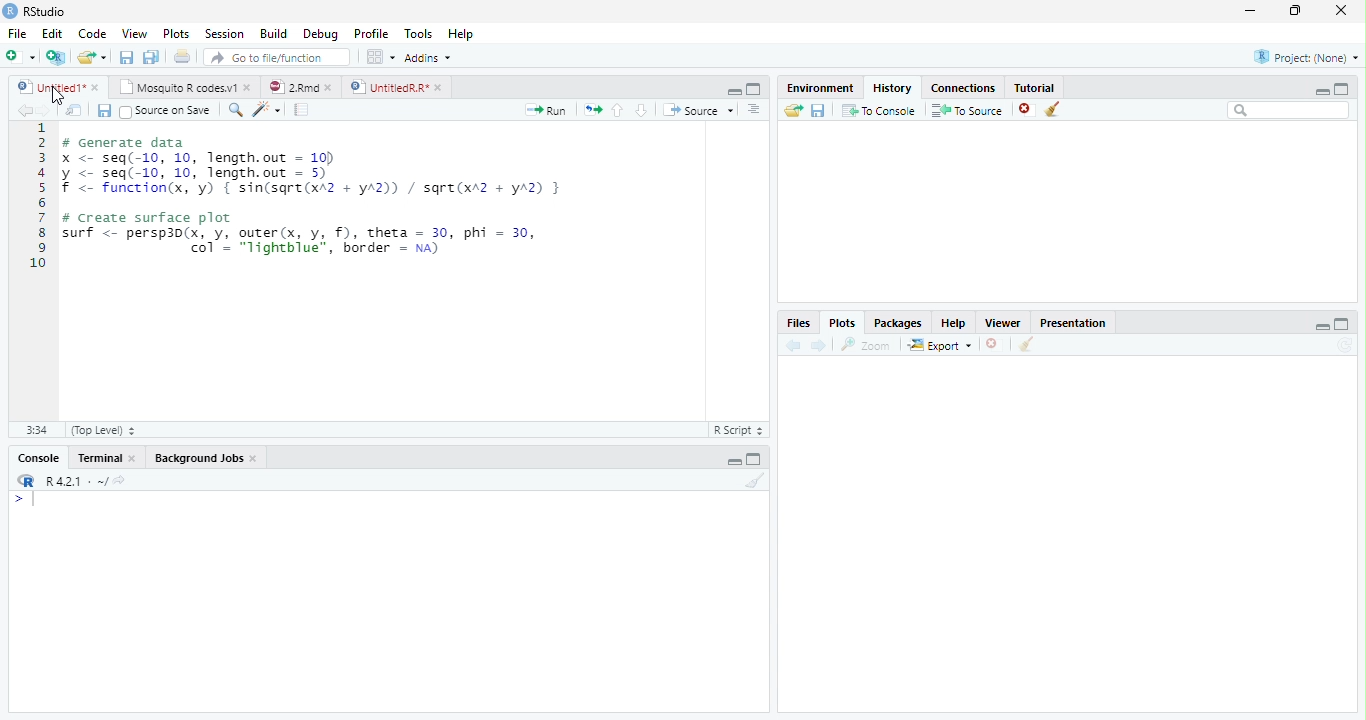 The width and height of the screenshot is (1366, 720). I want to click on Packages, so click(898, 322).